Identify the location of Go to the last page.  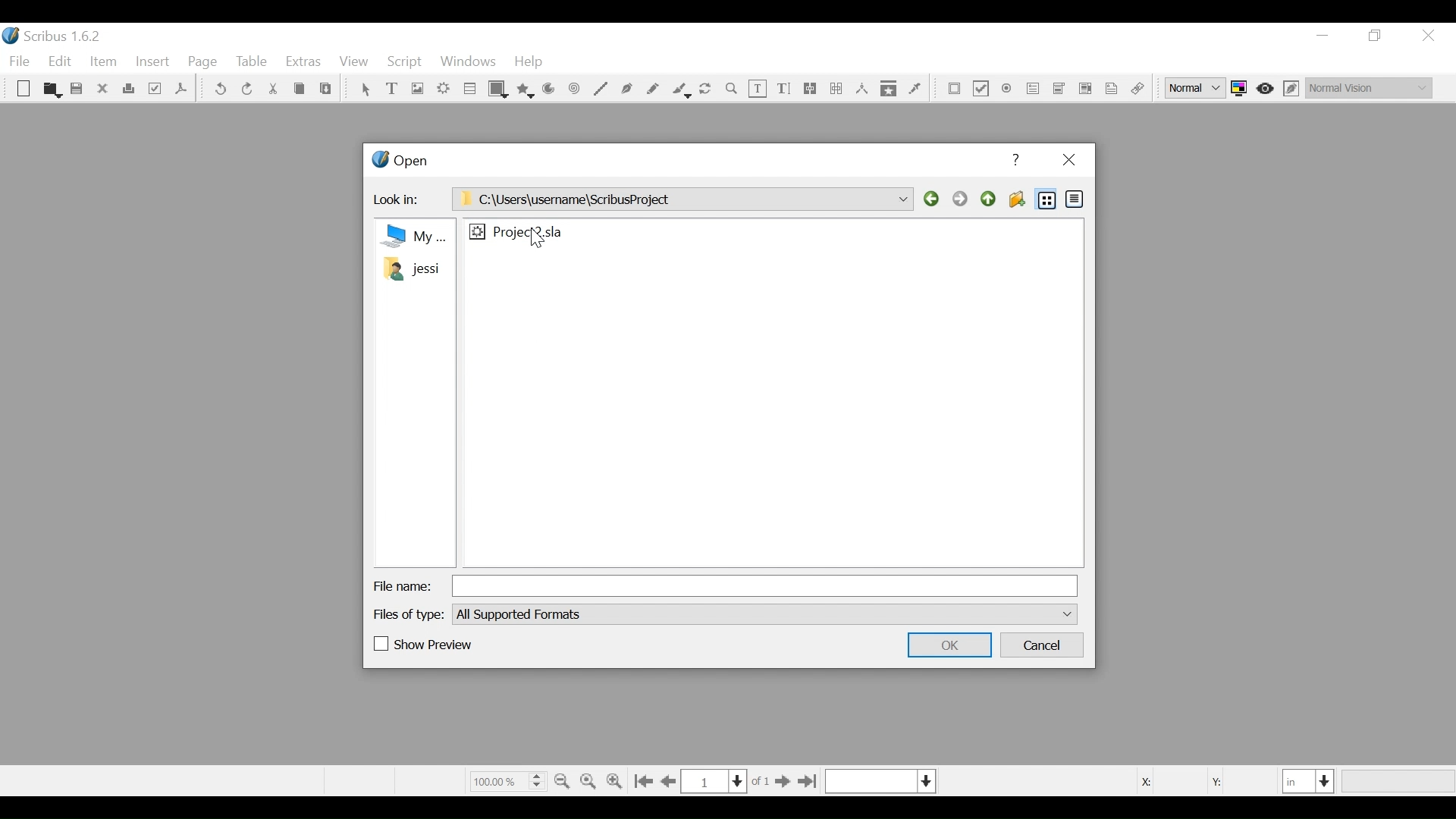
(807, 782).